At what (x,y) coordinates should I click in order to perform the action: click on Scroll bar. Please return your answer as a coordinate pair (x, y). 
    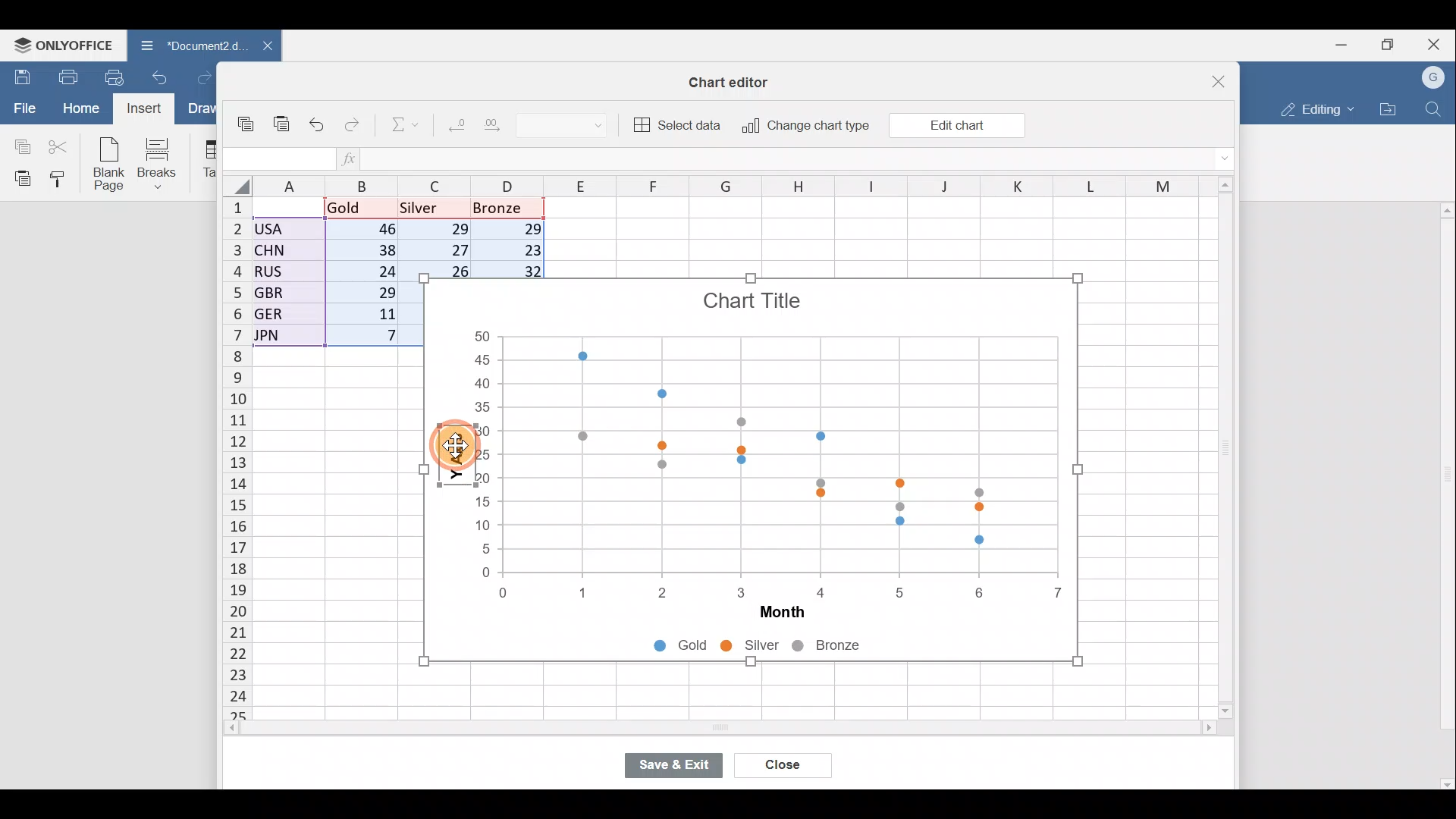
    Looking at the image, I should click on (1220, 449).